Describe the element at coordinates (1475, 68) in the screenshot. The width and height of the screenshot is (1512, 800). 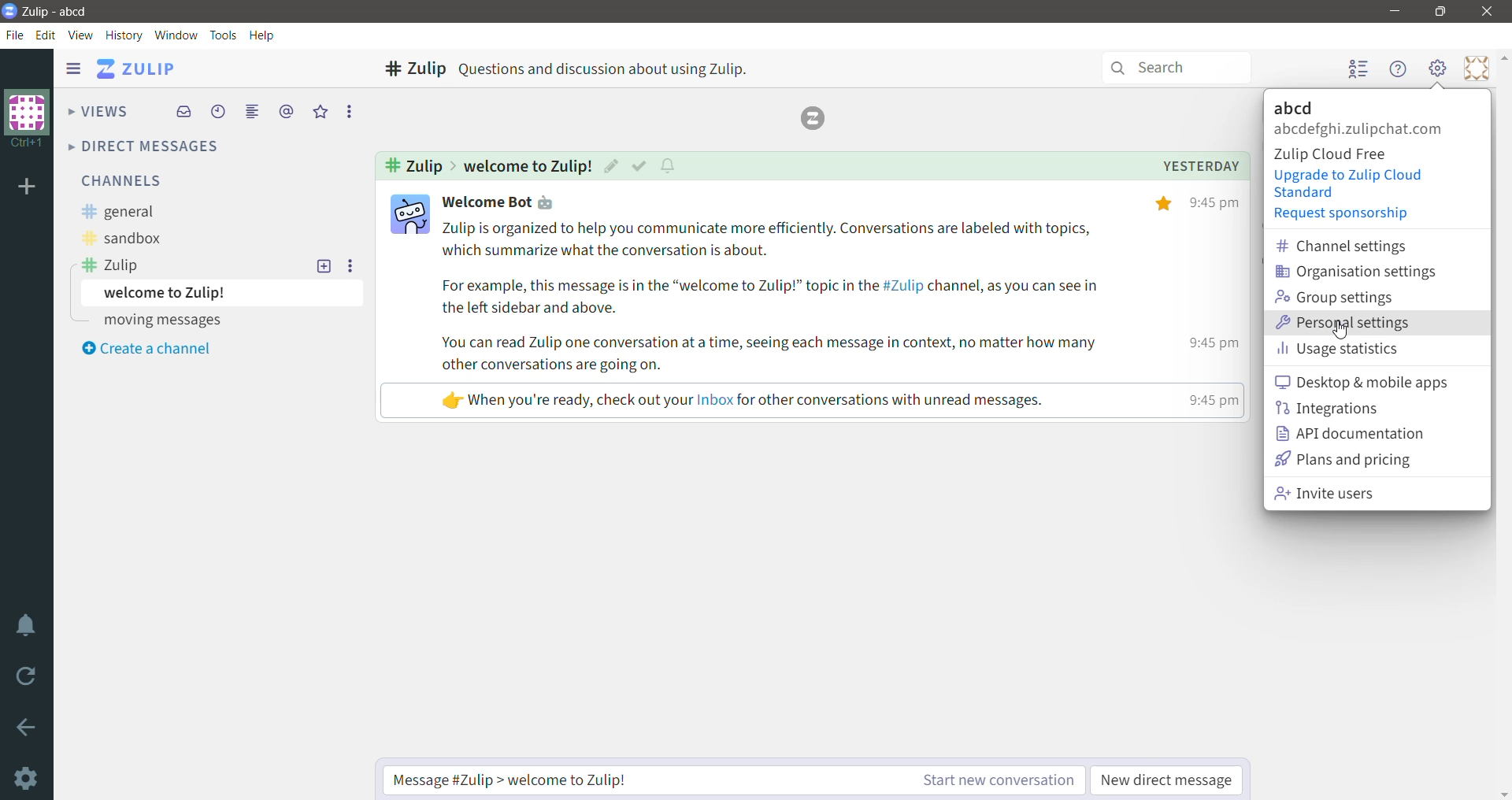
I see `Personal Menu` at that location.